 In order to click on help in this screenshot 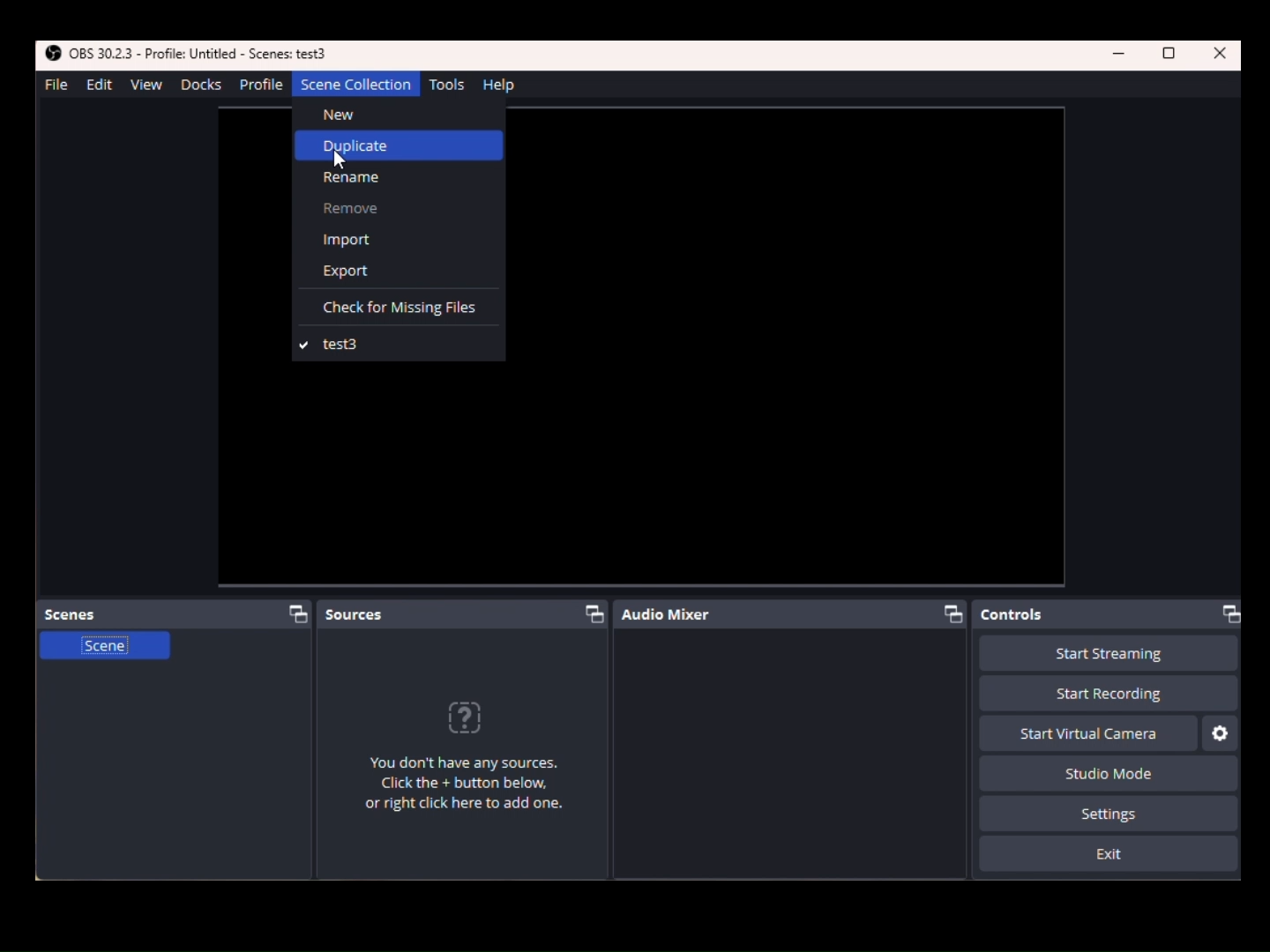, I will do `click(502, 85)`.